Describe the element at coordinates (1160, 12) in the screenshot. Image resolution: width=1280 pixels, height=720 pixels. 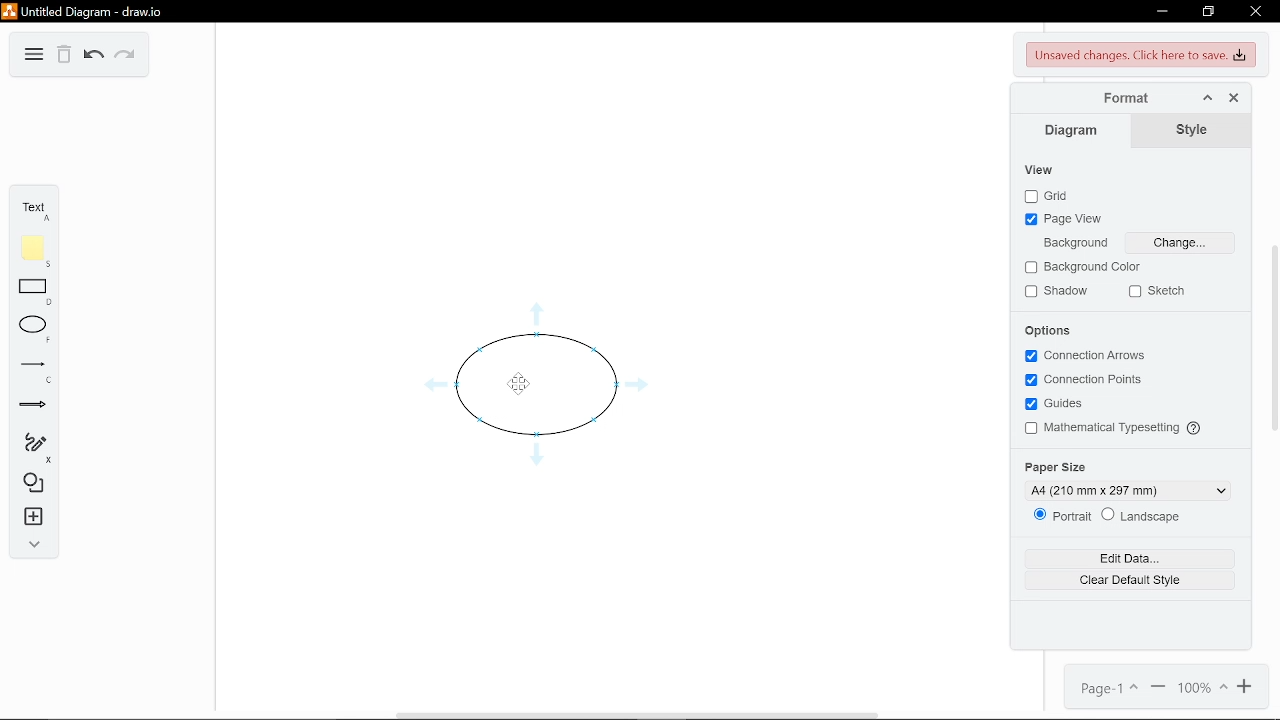
I see `Minimize` at that location.